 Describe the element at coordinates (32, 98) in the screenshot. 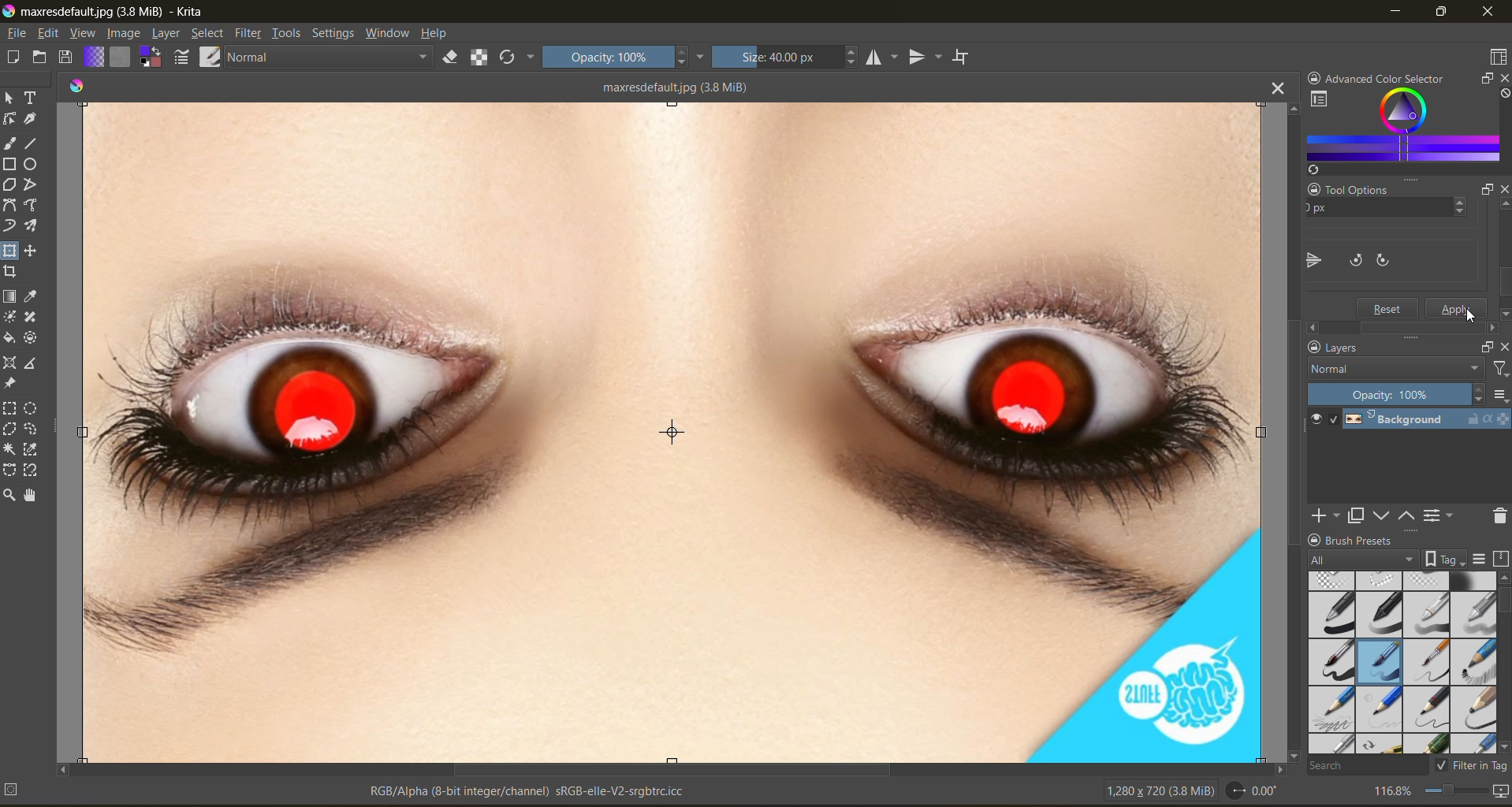

I see `tool` at that location.